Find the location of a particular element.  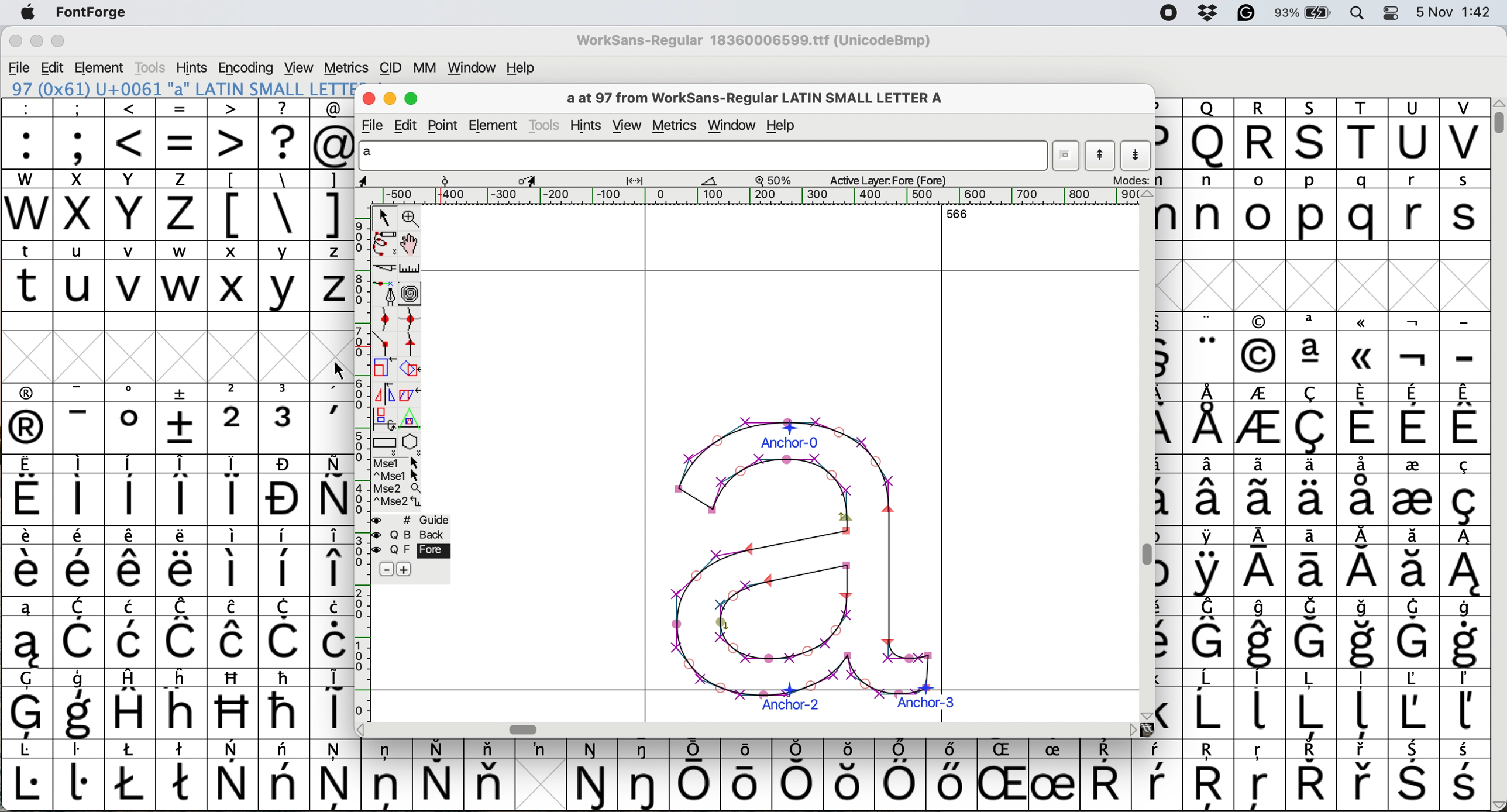

 is located at coordinates (1261, 776).